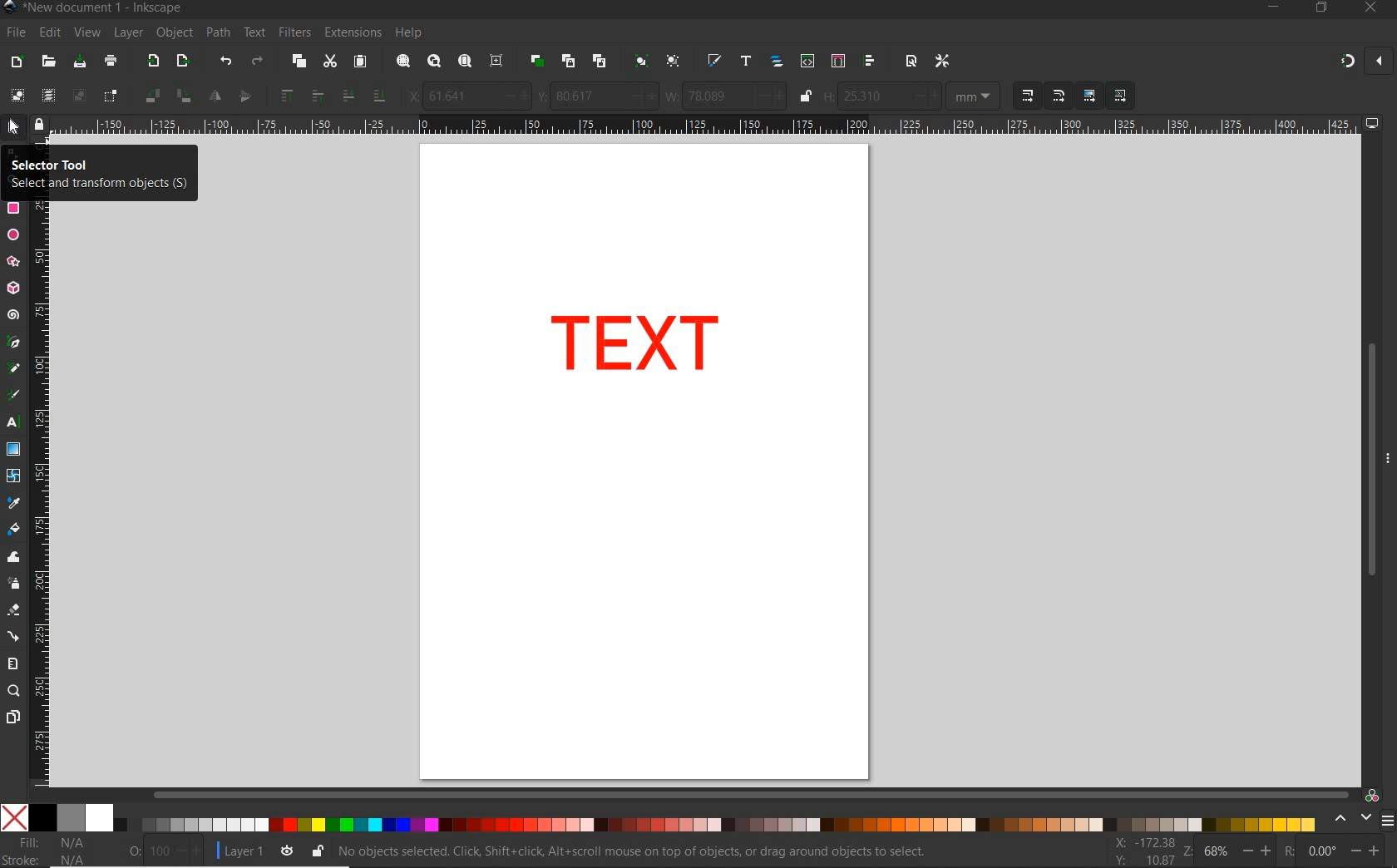  What do you see at coordinates (109, 62) in the screenshot?
I see `print` at bounding box center [109, 62].